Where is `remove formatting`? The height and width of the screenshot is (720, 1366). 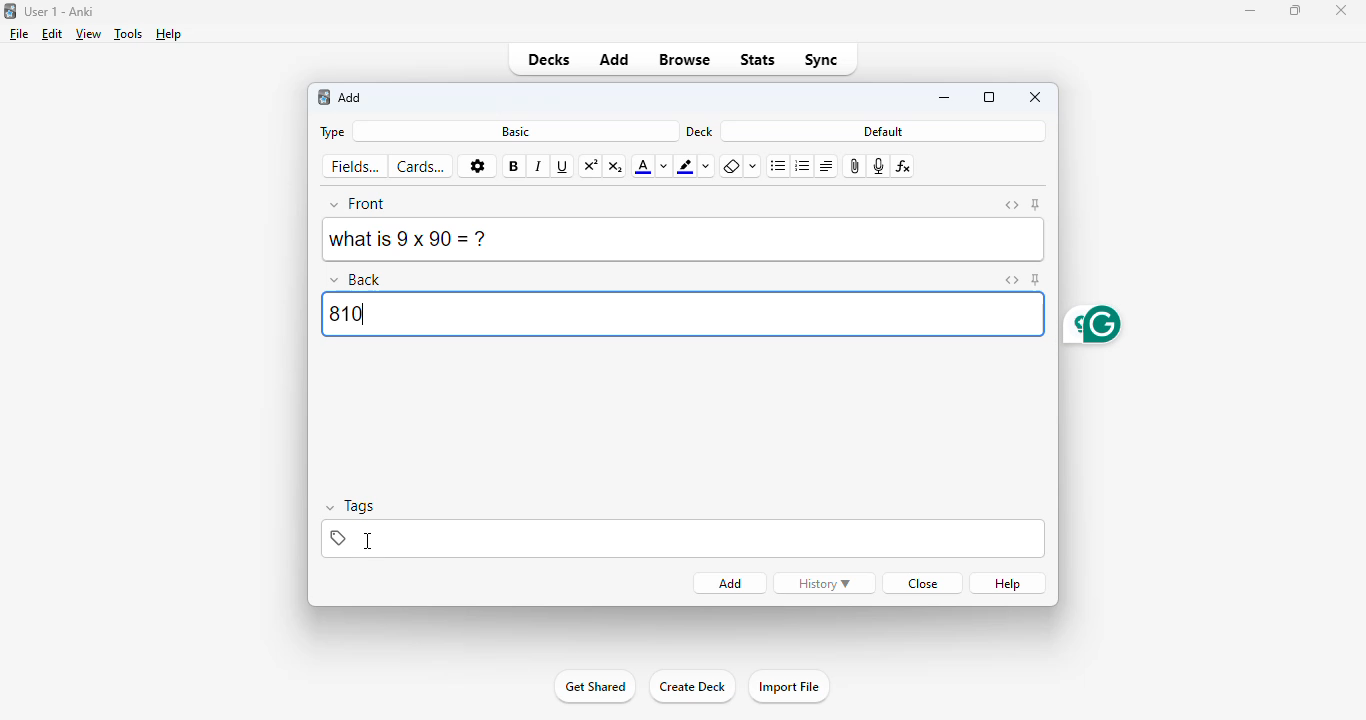
remove formatting is located at coordinates (731, 168).